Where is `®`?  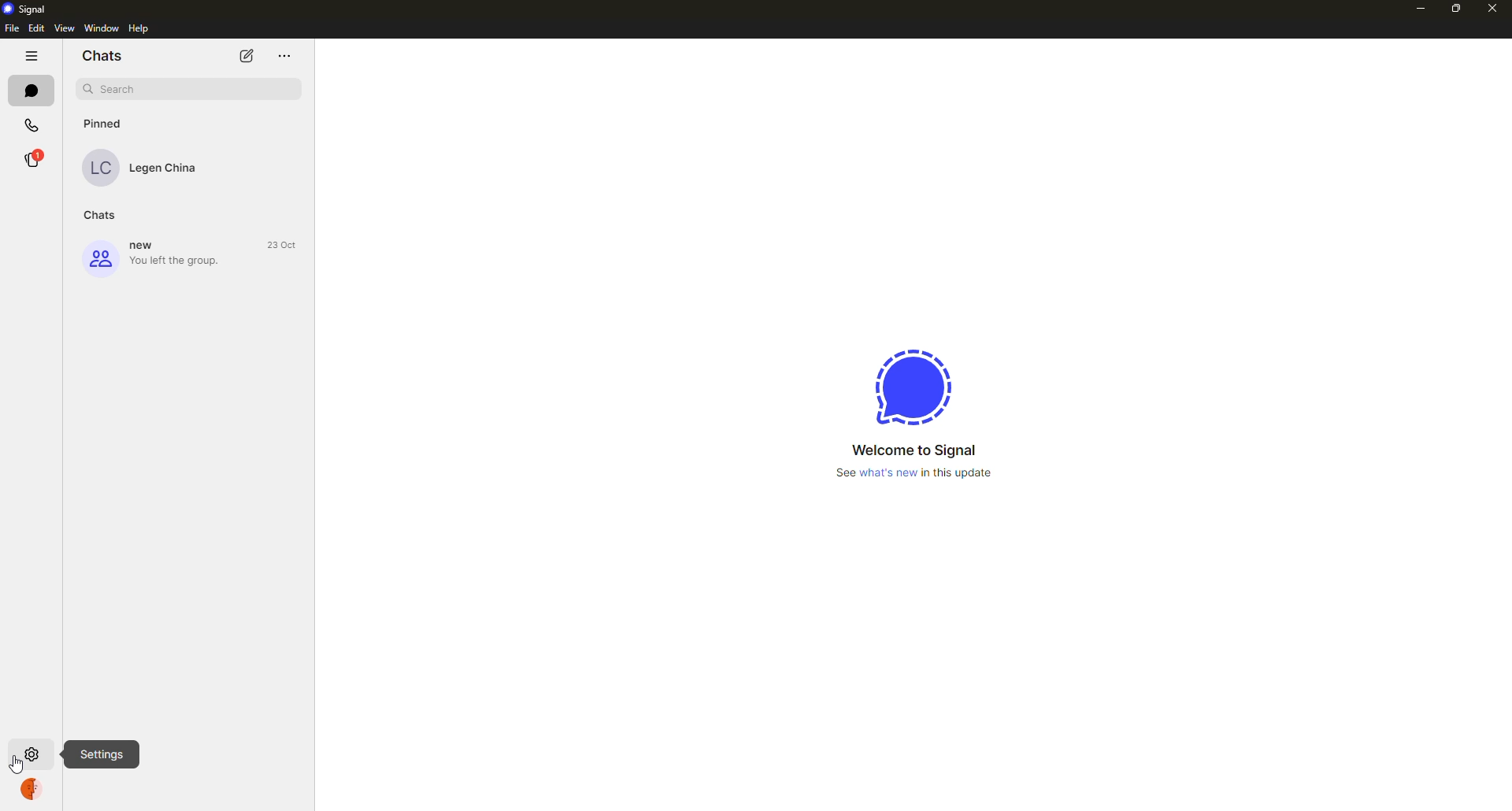 ® is located at coordinates (31, 159).